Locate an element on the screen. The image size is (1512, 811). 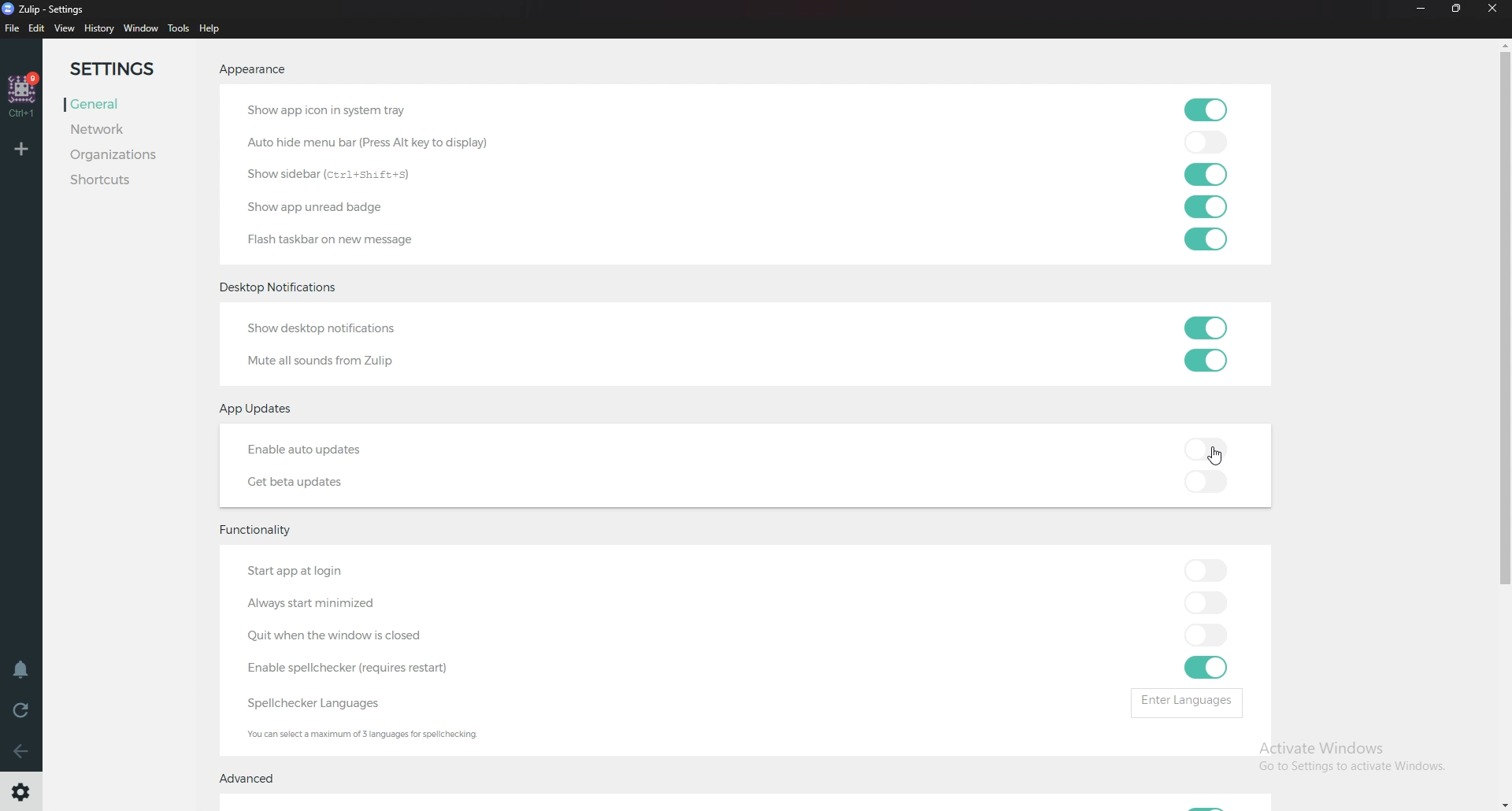
toggle is located at coordinates (1203, 481).